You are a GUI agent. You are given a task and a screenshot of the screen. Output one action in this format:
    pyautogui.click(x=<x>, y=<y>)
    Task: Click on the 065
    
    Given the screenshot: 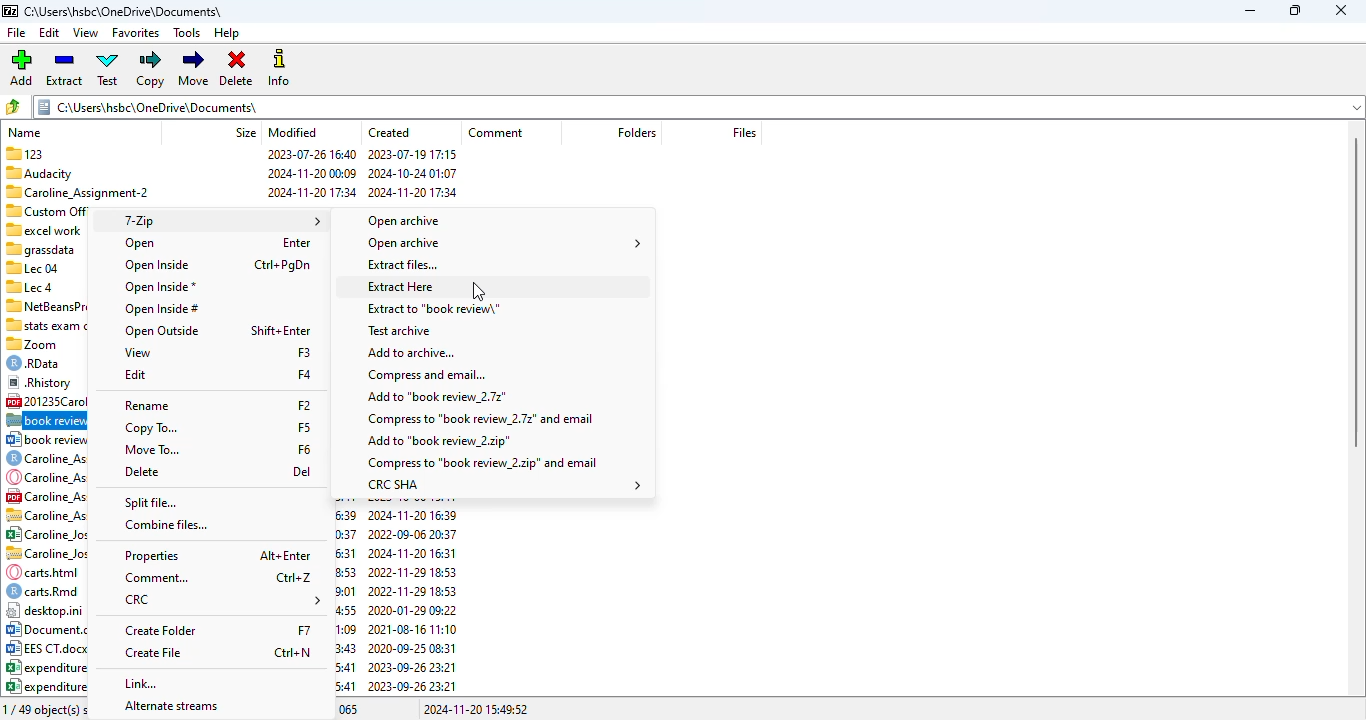 What is the action you would take?
    pyautogui.click(x=351, y=710)
    